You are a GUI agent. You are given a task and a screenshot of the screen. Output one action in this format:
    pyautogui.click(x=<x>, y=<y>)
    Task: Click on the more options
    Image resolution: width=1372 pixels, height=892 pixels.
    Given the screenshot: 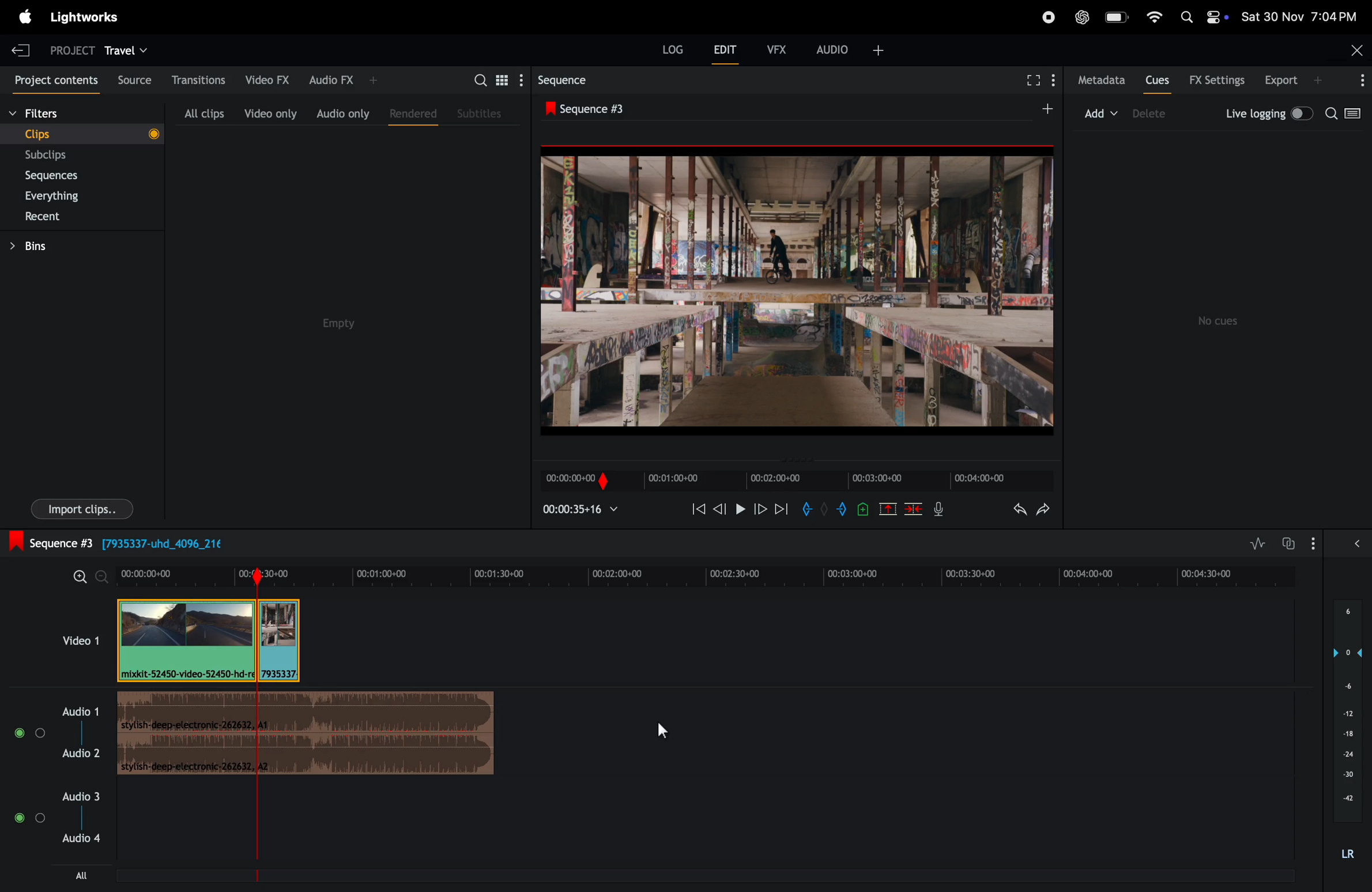 What is the action you would take?
    pyautogui.click(x=1356, y=81)
    